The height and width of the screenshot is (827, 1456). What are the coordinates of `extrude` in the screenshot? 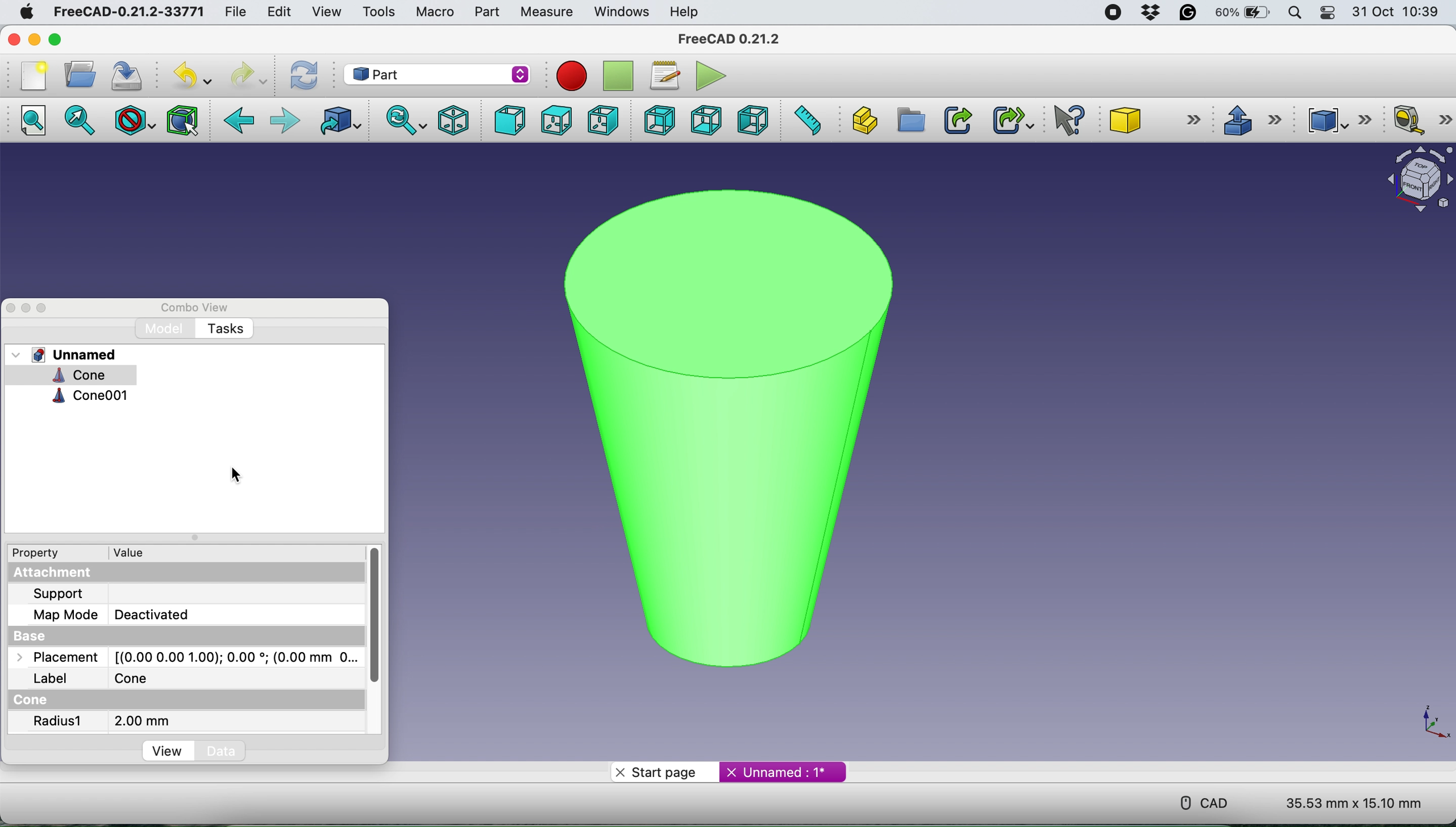 It's located at (1251, 120).